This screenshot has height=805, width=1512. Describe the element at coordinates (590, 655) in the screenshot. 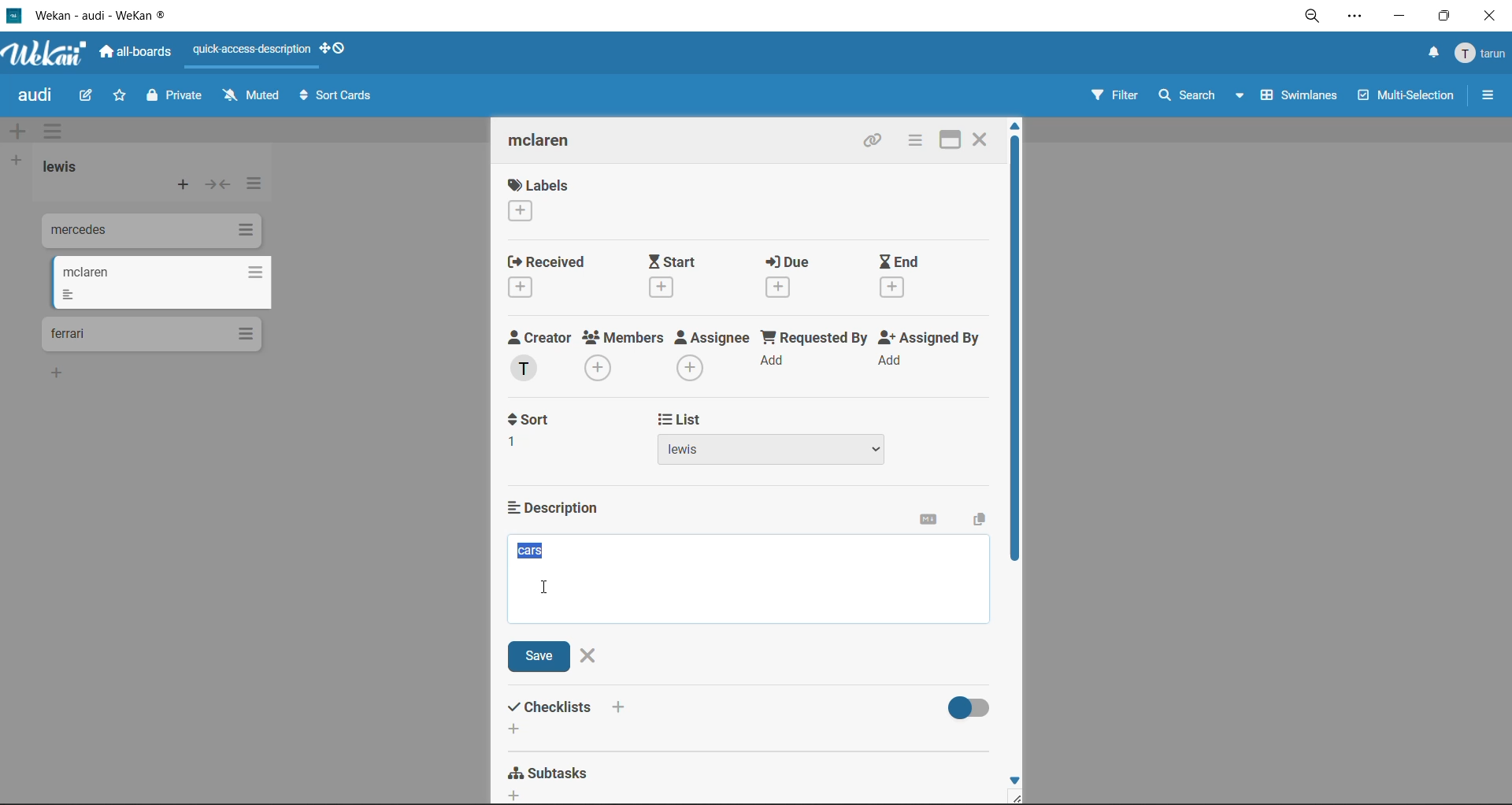

I see `close` at that location.